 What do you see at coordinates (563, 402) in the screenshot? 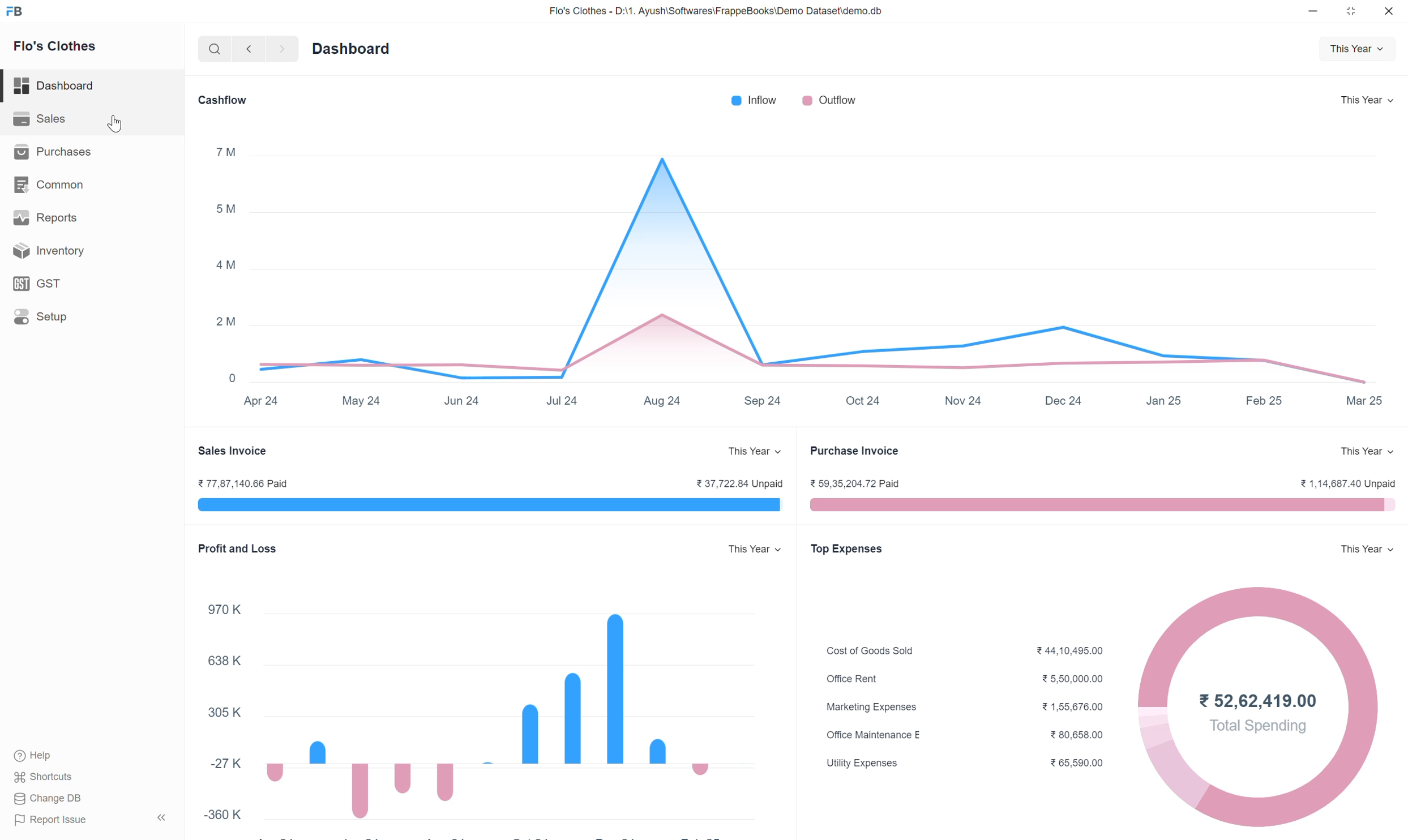
I see `Jul 24` at bounding box center [563, 402].